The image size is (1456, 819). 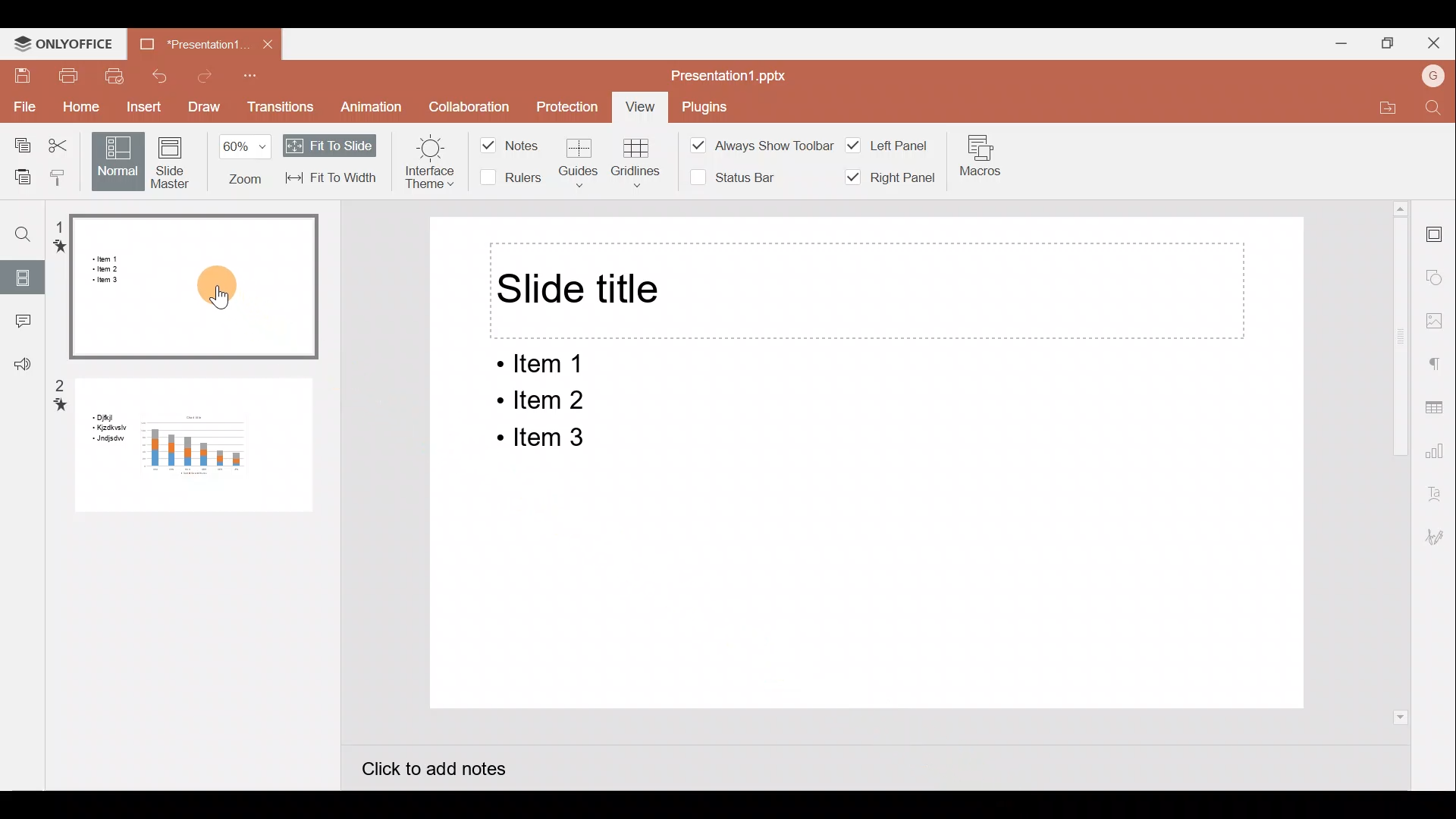 I want to click on Open file location, so click(x=1386, y=108).